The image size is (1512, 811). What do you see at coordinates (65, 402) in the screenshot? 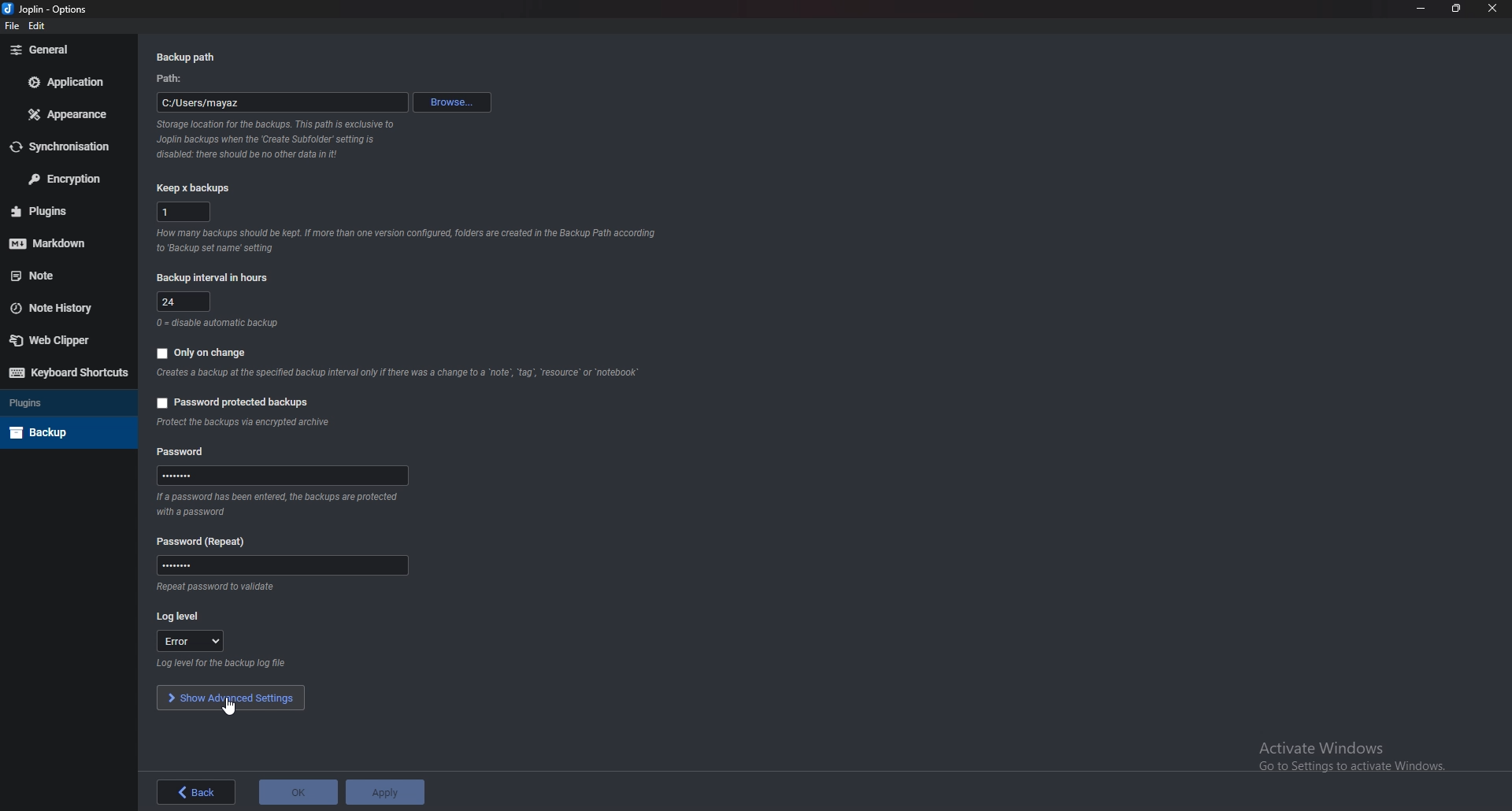
I see `Plugins` at bounding box center [65, 402].